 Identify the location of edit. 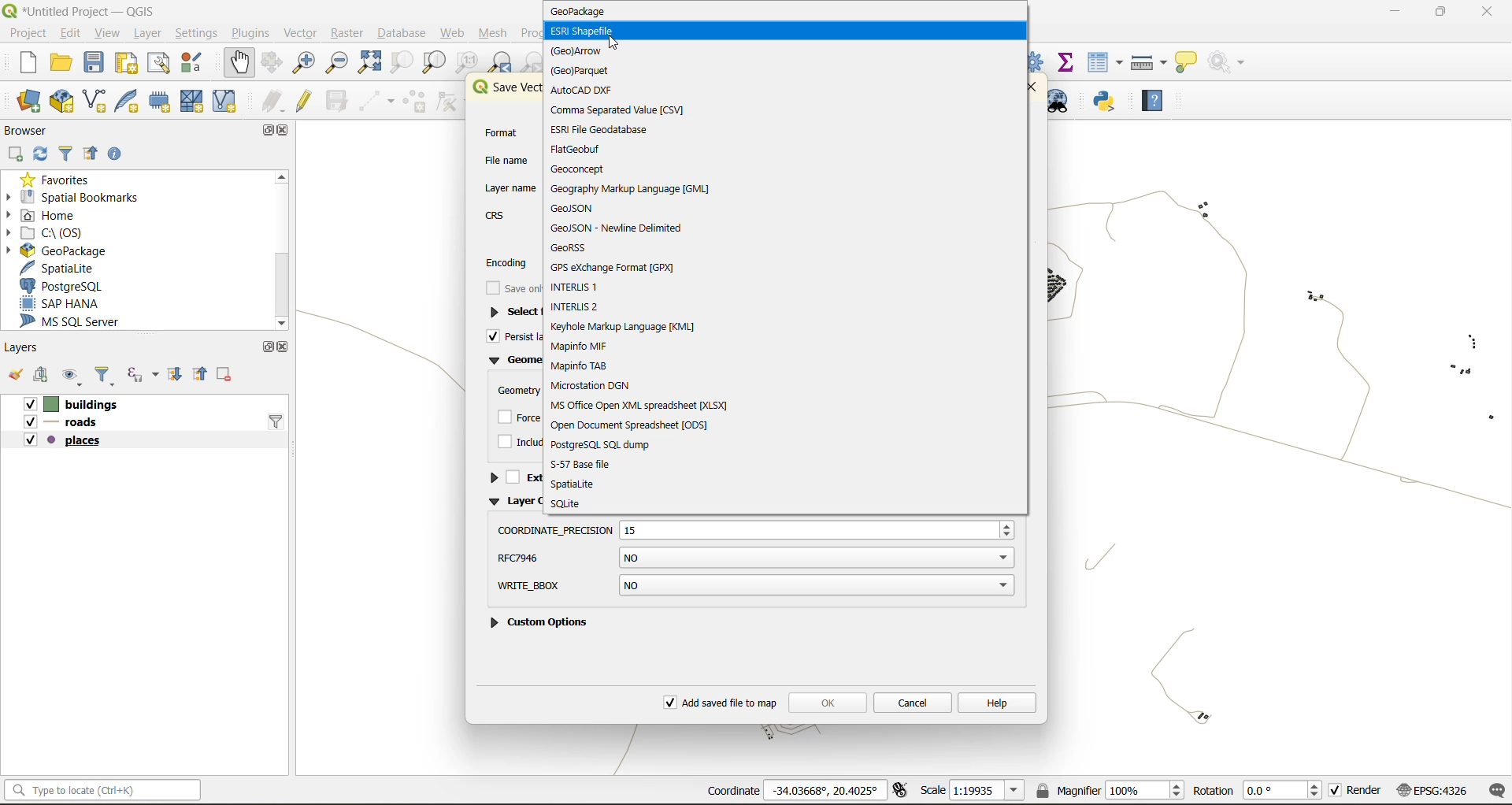
(69, 33).